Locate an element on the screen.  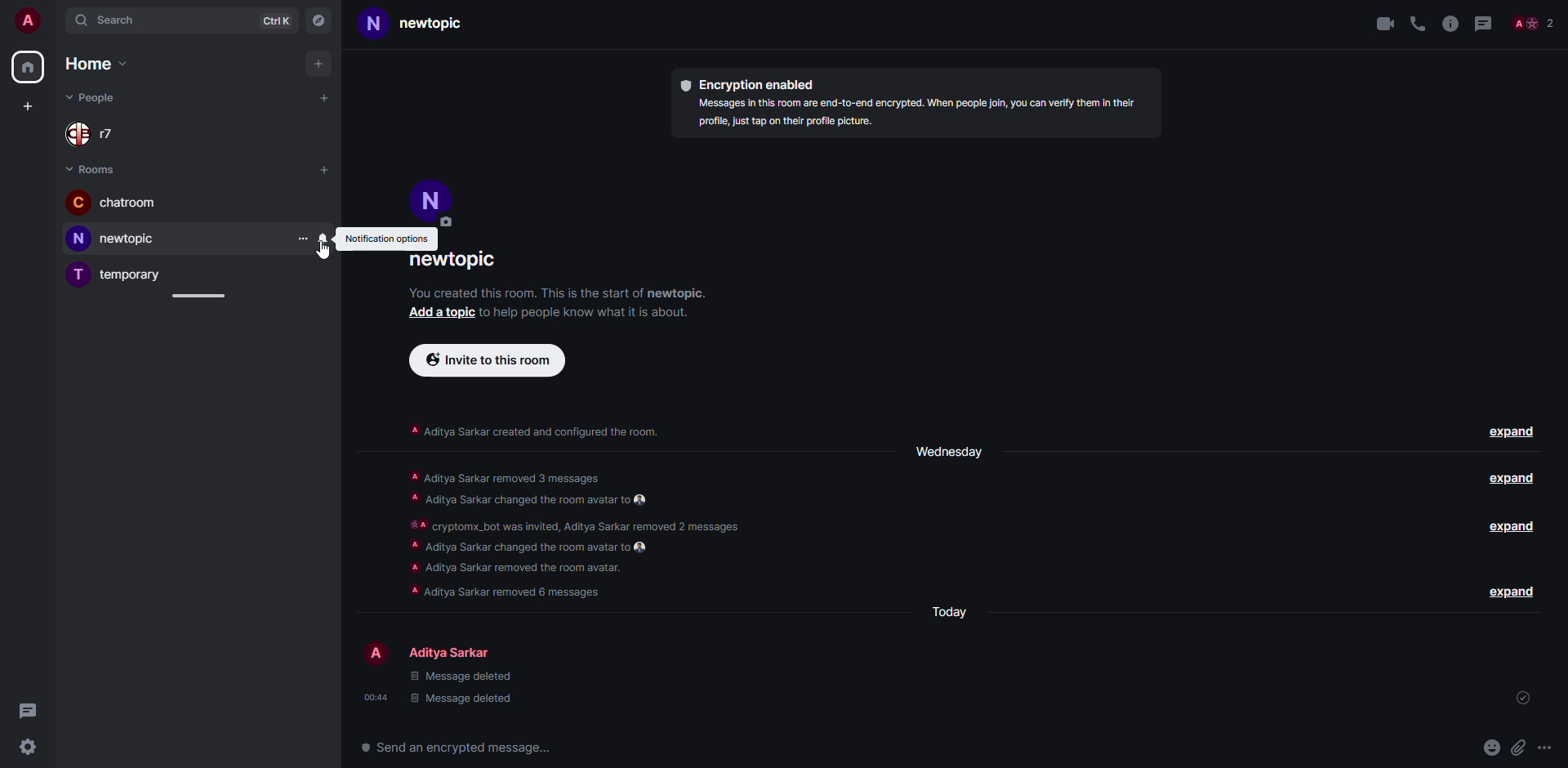
more is located at coordinates (1544, 748).